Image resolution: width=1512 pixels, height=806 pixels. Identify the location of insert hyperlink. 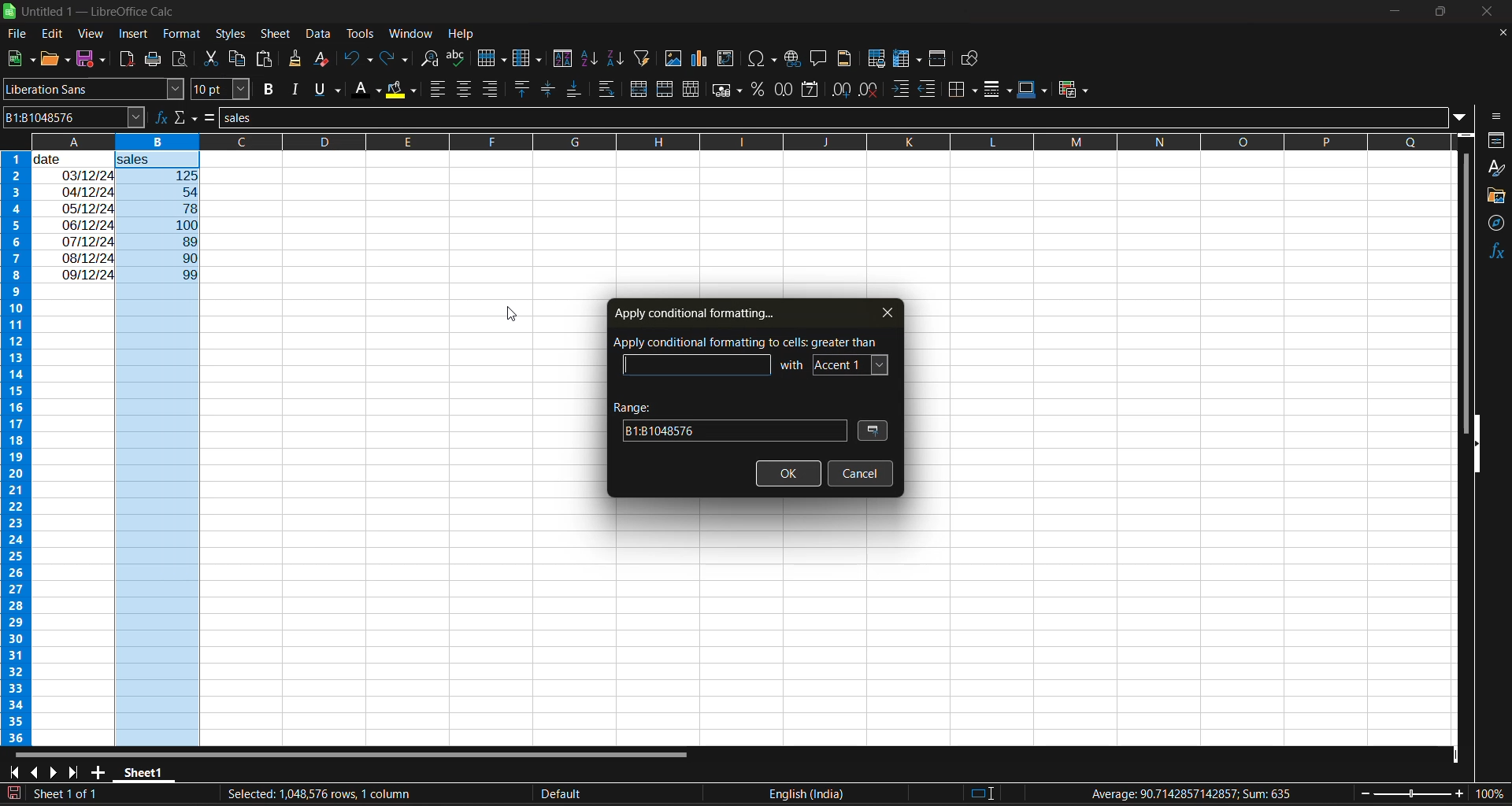
(794, 60).